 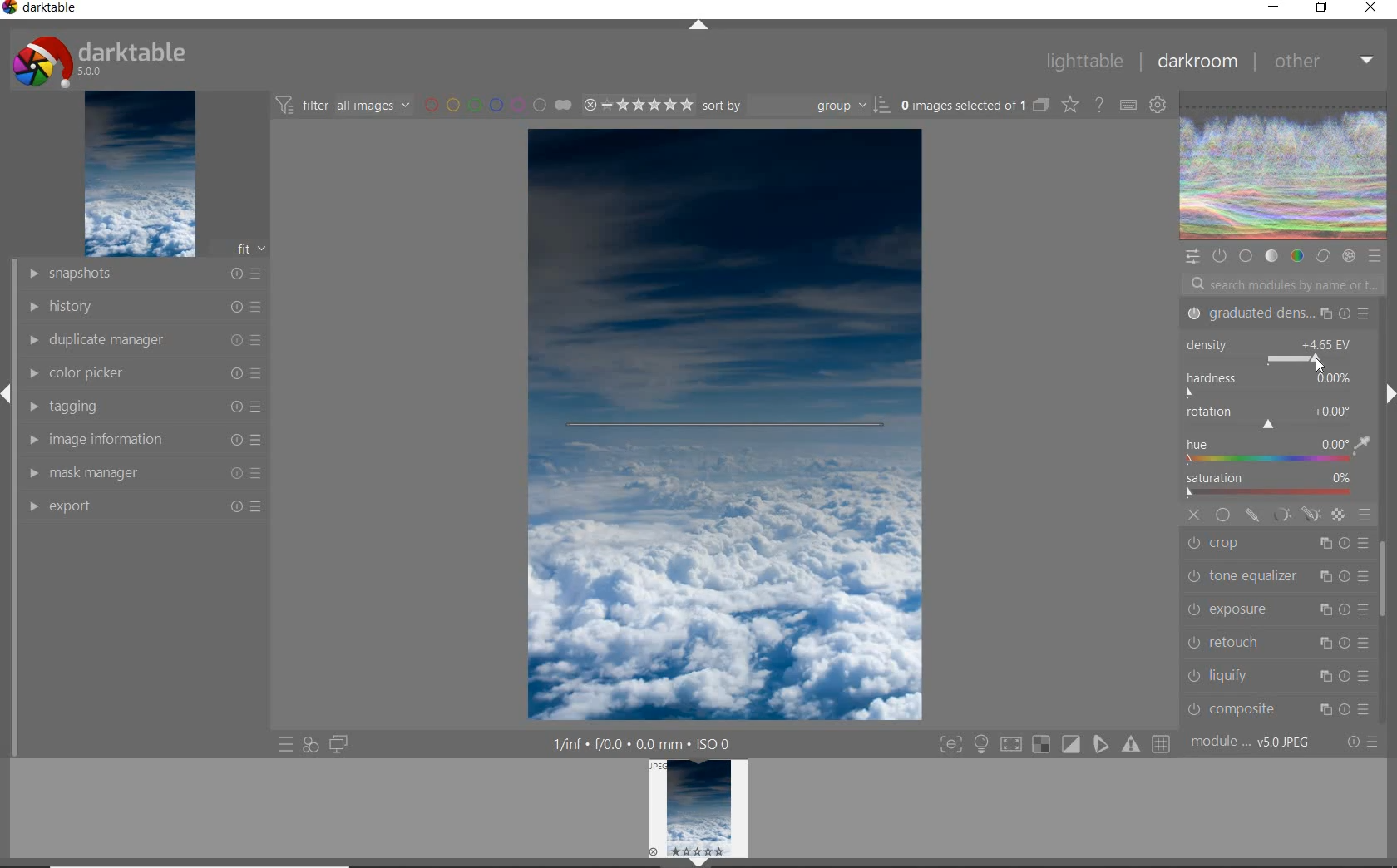 I want to click on ENABLE FOR ONLINE HELP, so click(x=1098, y=104).